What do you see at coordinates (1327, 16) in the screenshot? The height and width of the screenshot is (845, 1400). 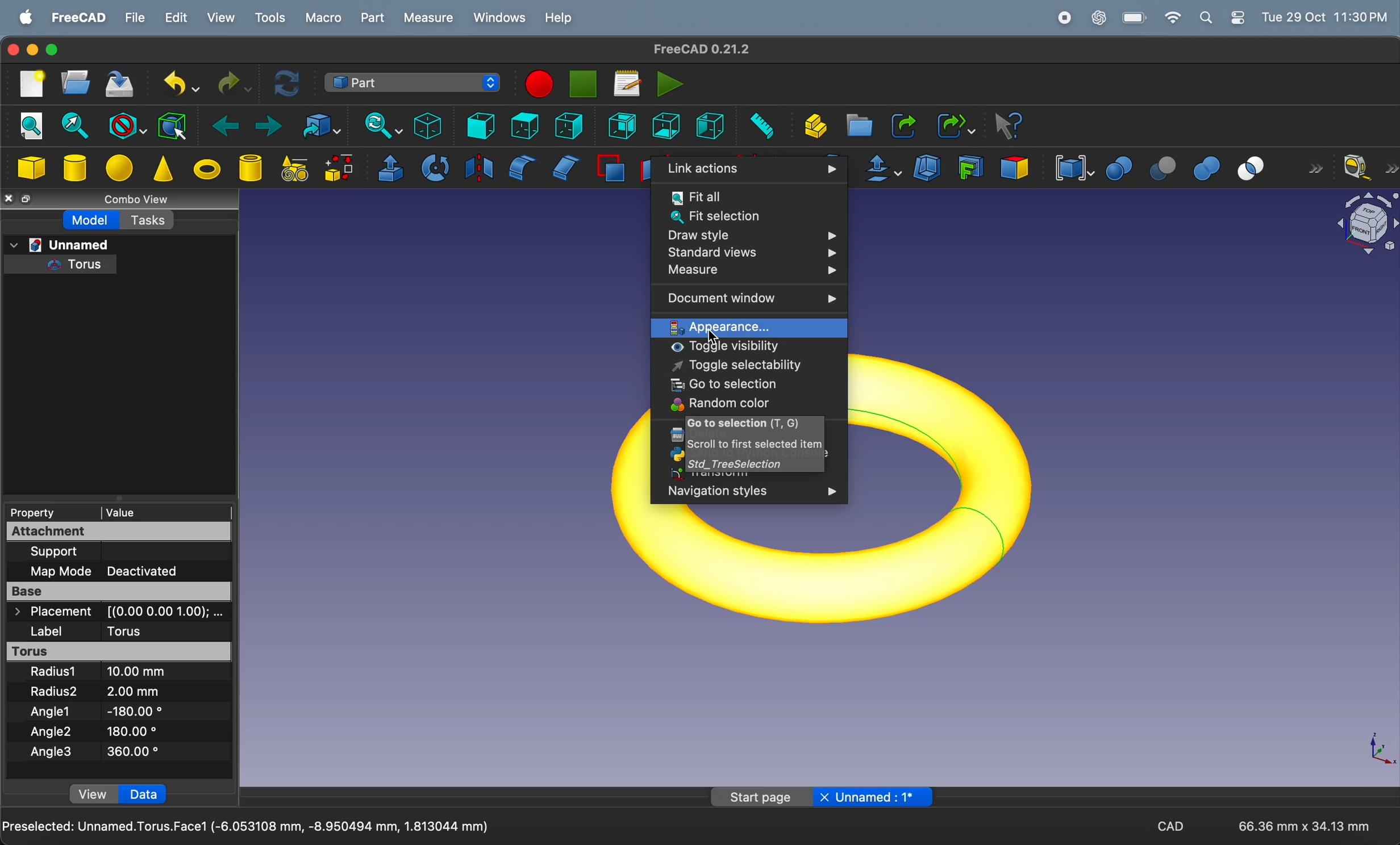 I see `time and date` at bounding box center [1327, 16].